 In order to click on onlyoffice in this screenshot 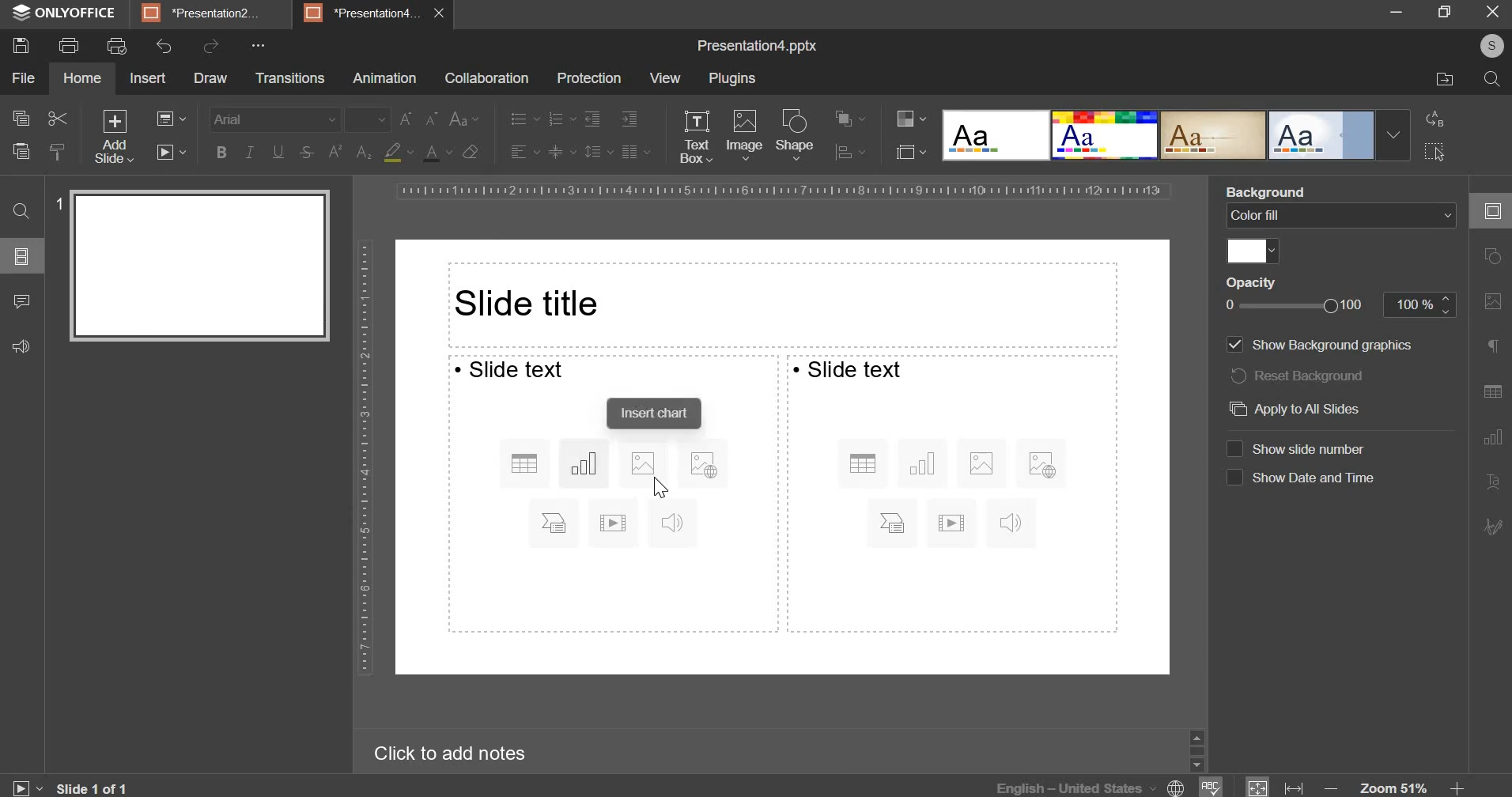, I will do `click(65, 13)`.